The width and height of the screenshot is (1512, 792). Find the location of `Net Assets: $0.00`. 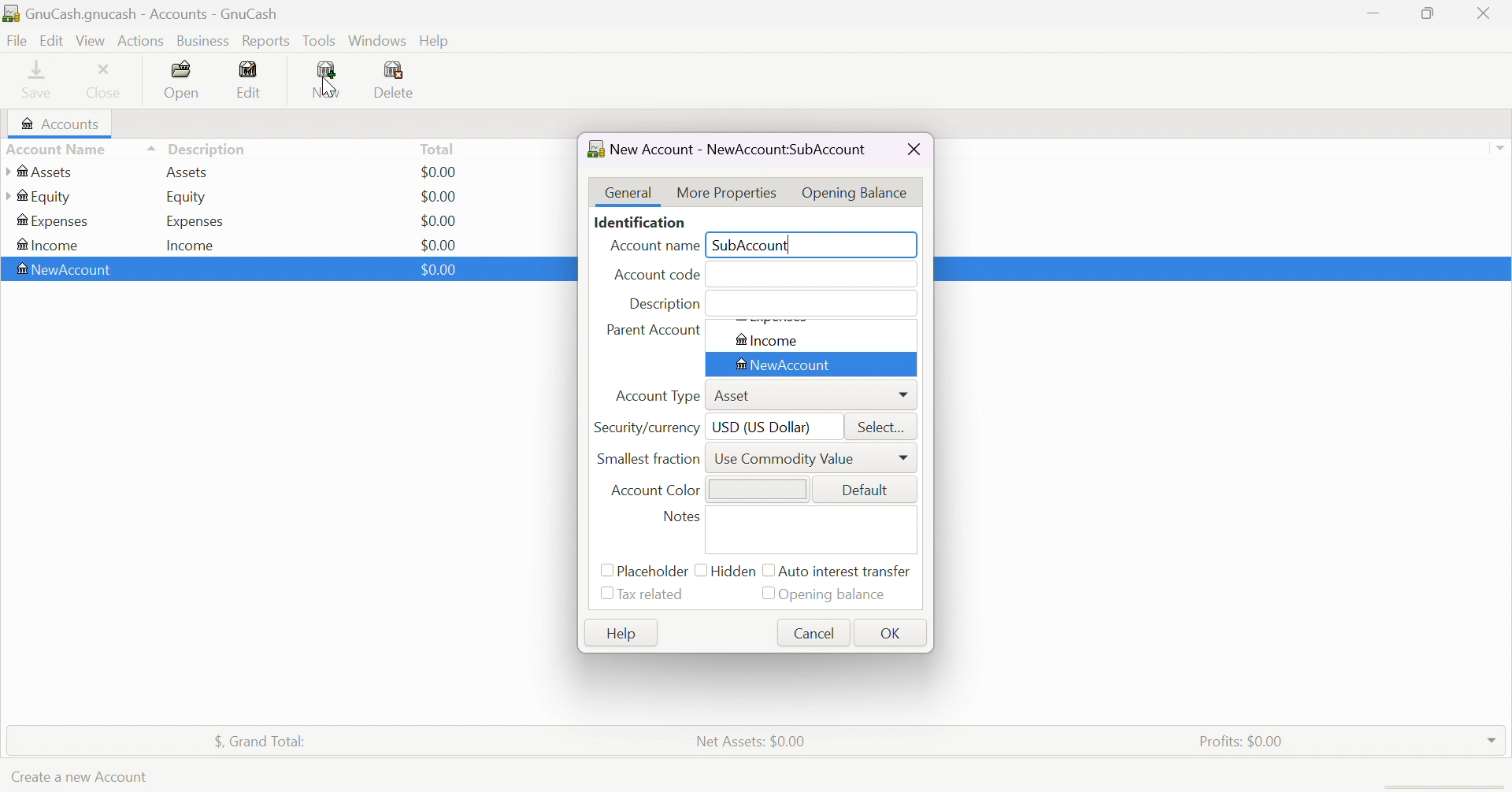

Net Assets: $0.00 is located at coordinates (753, 742).